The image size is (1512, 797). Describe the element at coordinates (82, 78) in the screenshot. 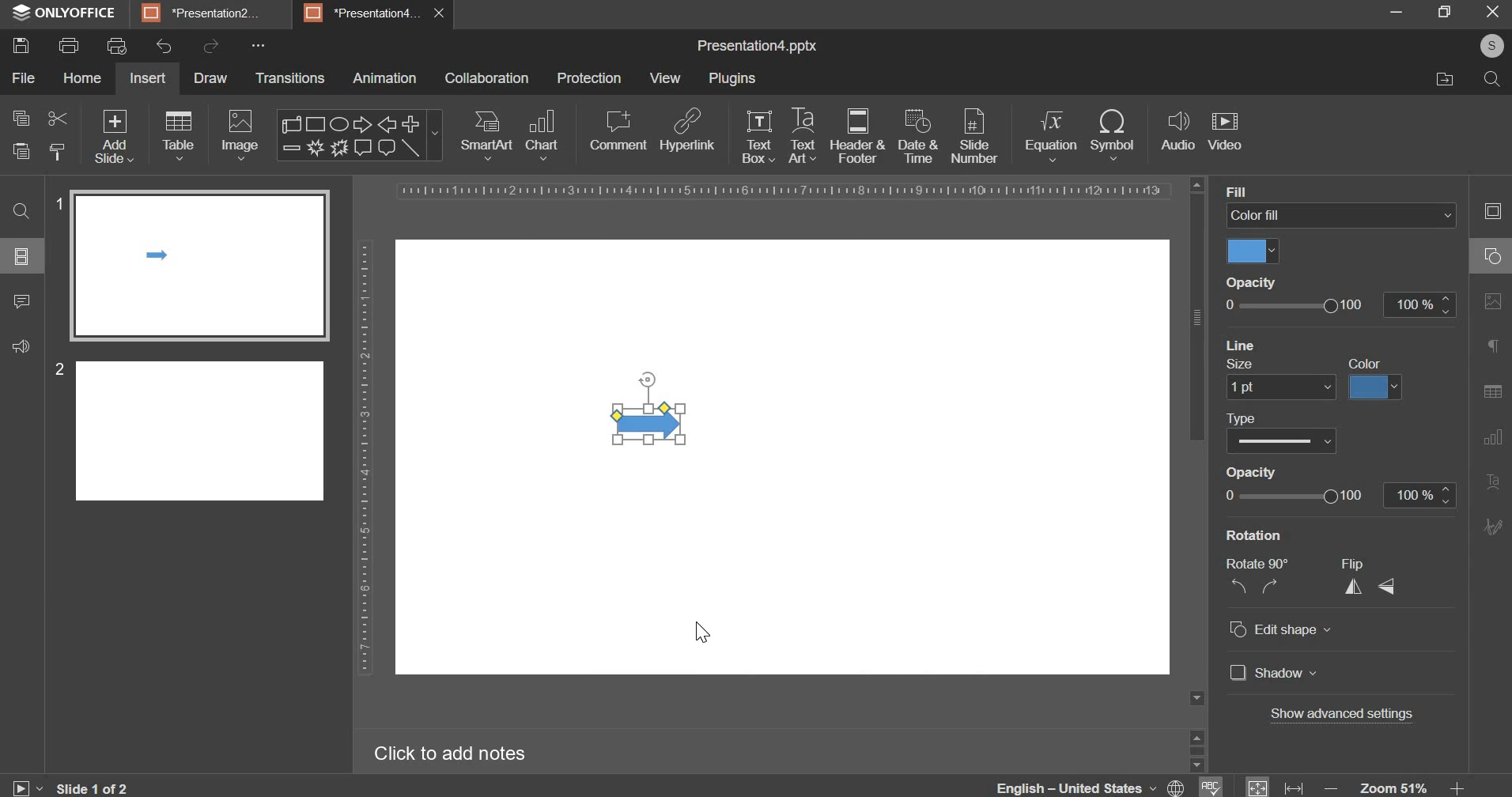

I see `home` at that location.